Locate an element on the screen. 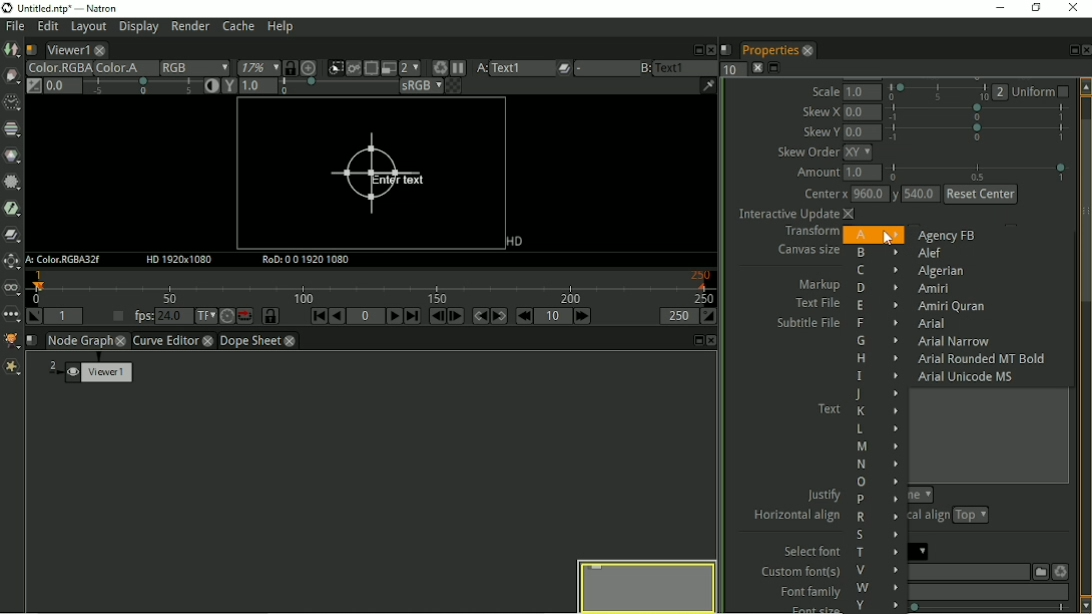 The height and width of the screenshot is (614, 1092). Script name is located at coordinates (31, 50).